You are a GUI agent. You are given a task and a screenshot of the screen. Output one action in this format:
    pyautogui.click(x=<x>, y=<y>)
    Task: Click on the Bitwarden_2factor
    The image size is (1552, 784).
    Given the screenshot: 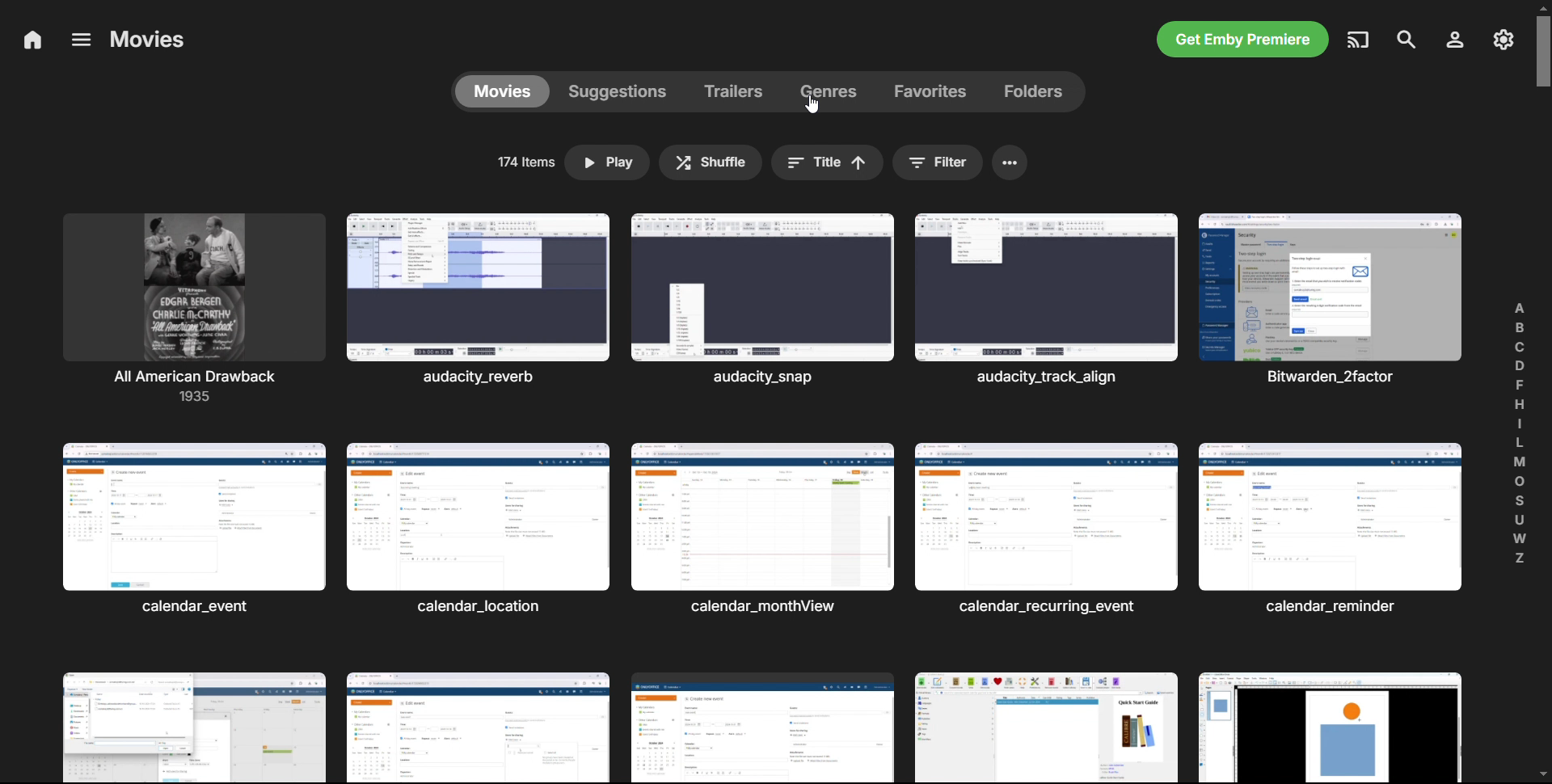 What is the action you would take?
    pyautogui.click(x=1330, y=299)
    